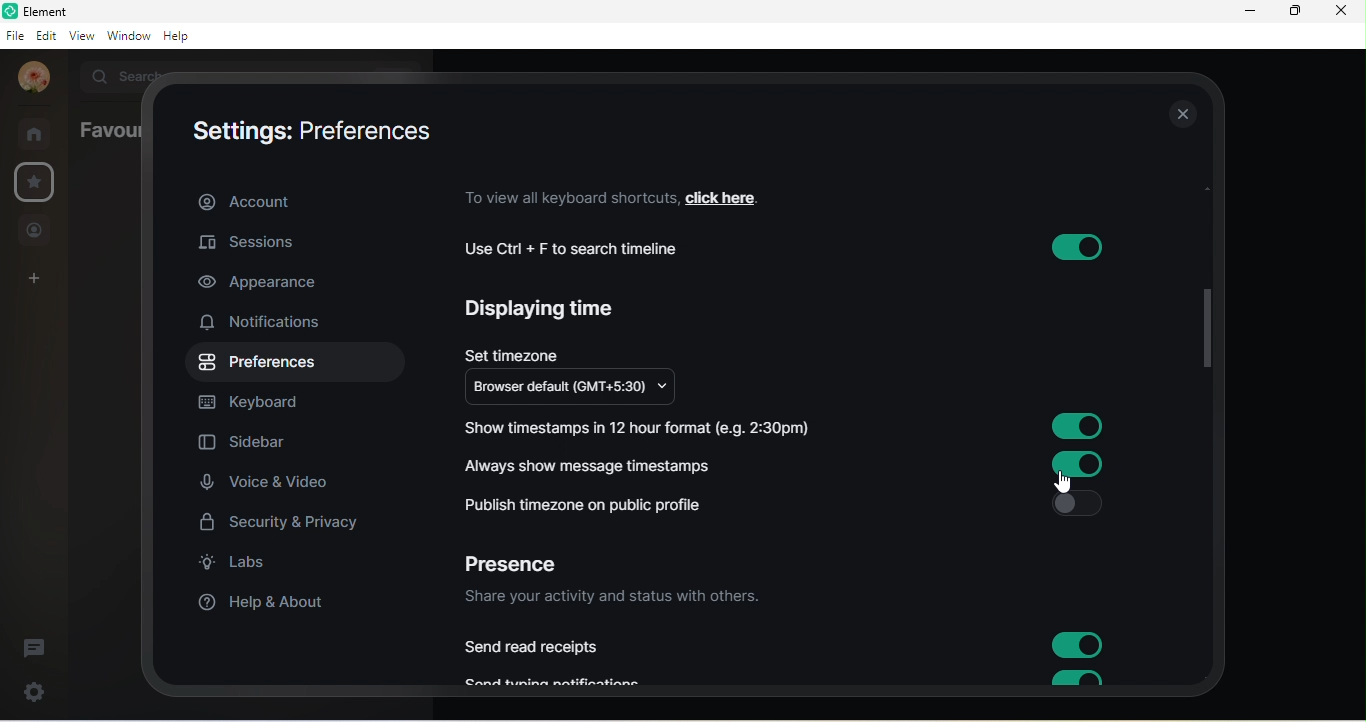 This screenshot has height=722, width=1366. Describe the element at coordinates (302, 130) in the screenshot. I see `settings: account` at that location.